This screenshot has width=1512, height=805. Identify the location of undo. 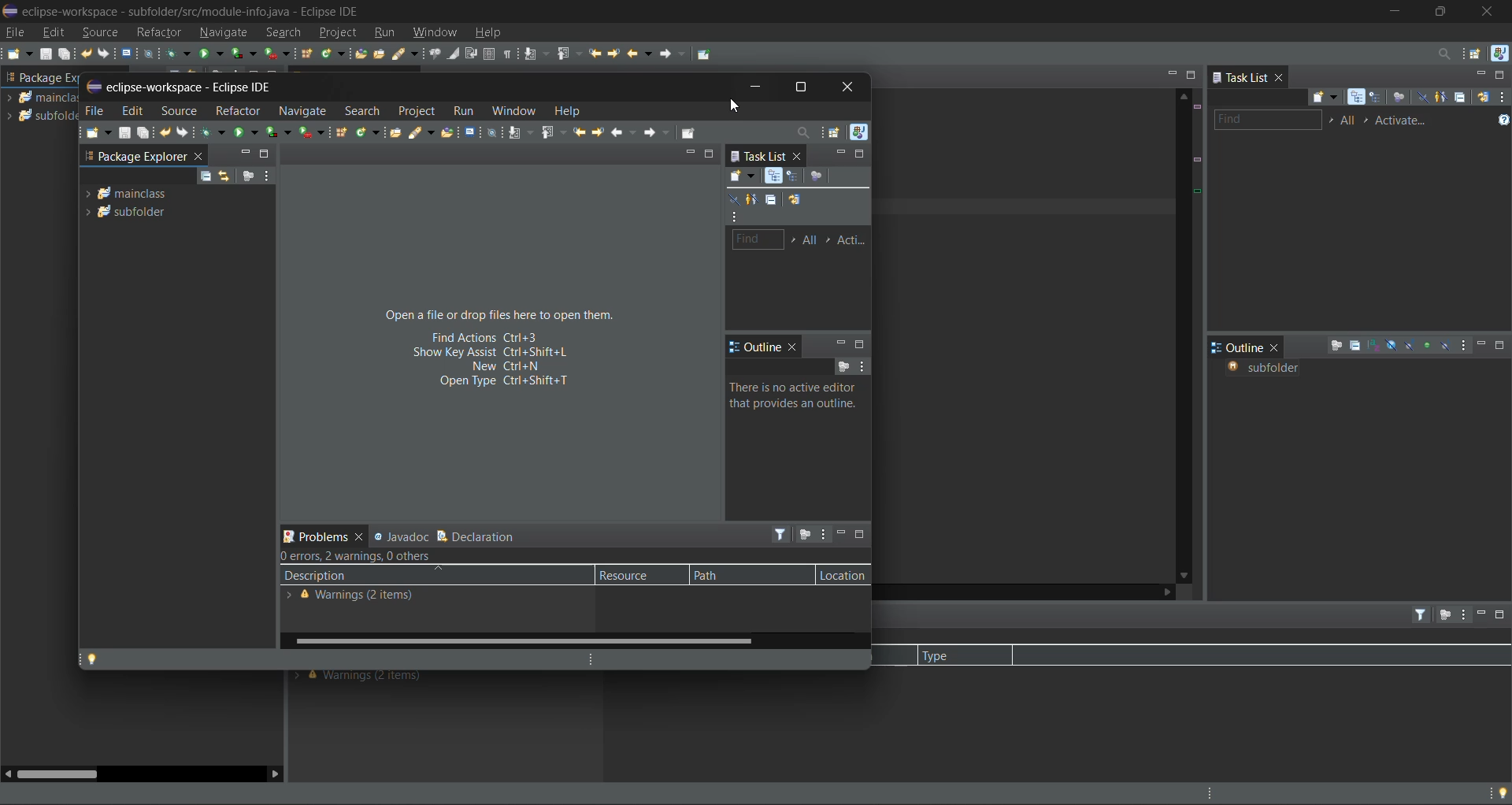
(87, 54).